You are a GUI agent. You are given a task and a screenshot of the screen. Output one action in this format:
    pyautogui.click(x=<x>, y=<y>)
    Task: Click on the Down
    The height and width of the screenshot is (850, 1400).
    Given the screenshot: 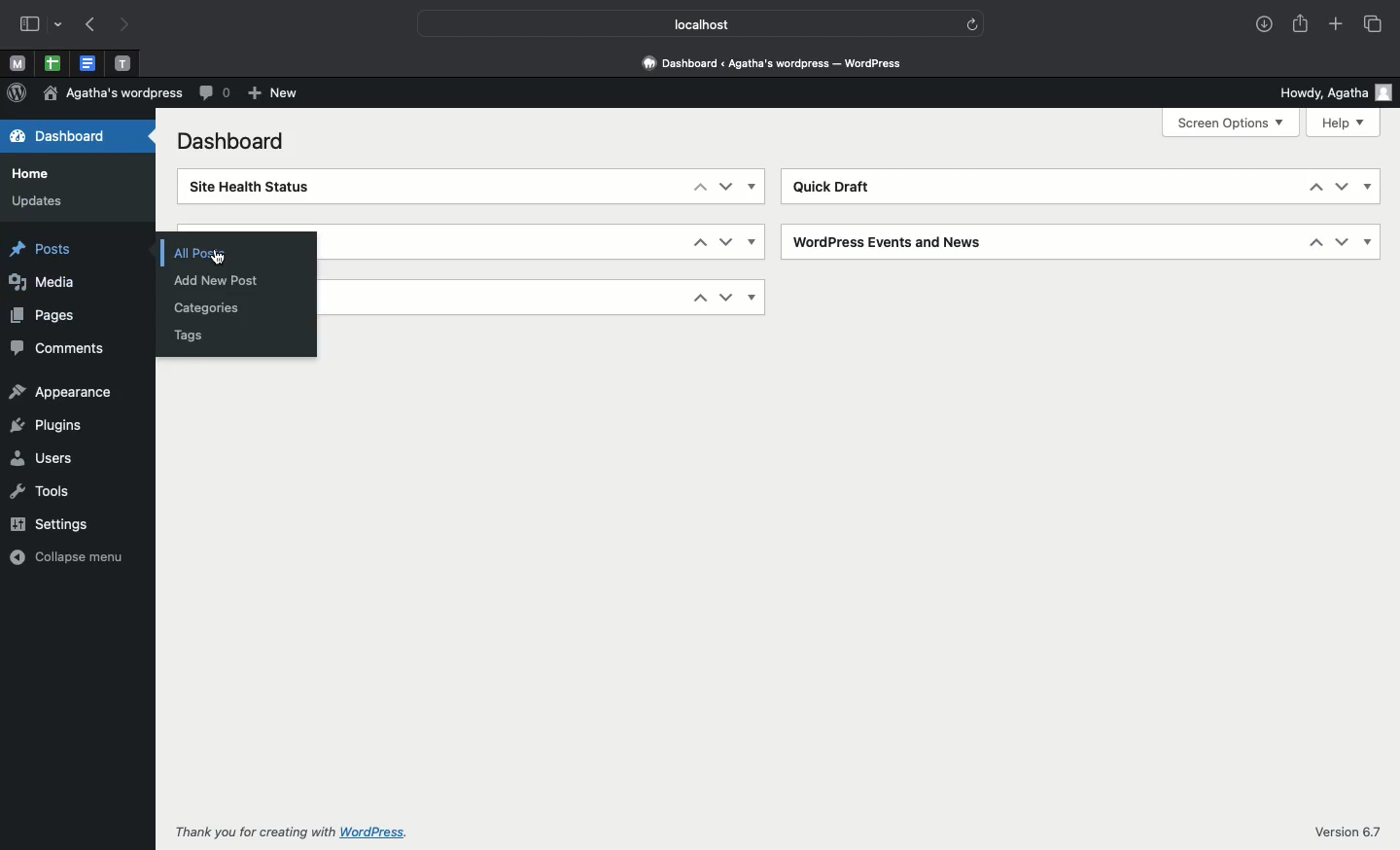 What is the action you would take?
    pyautogui.click(x=726, y=242)
    